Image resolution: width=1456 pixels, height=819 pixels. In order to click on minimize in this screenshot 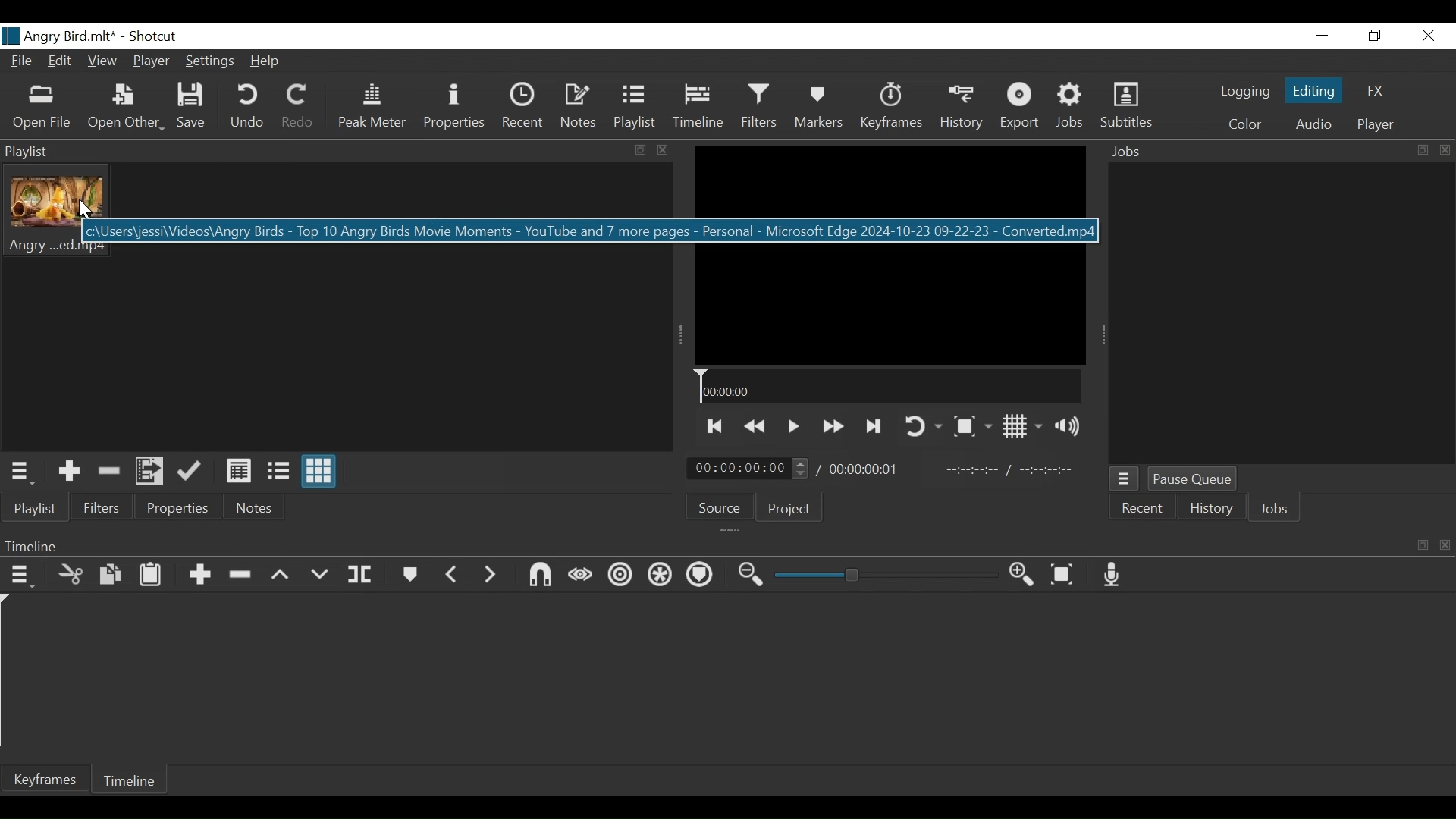, I will do `click(1323, 35)`.